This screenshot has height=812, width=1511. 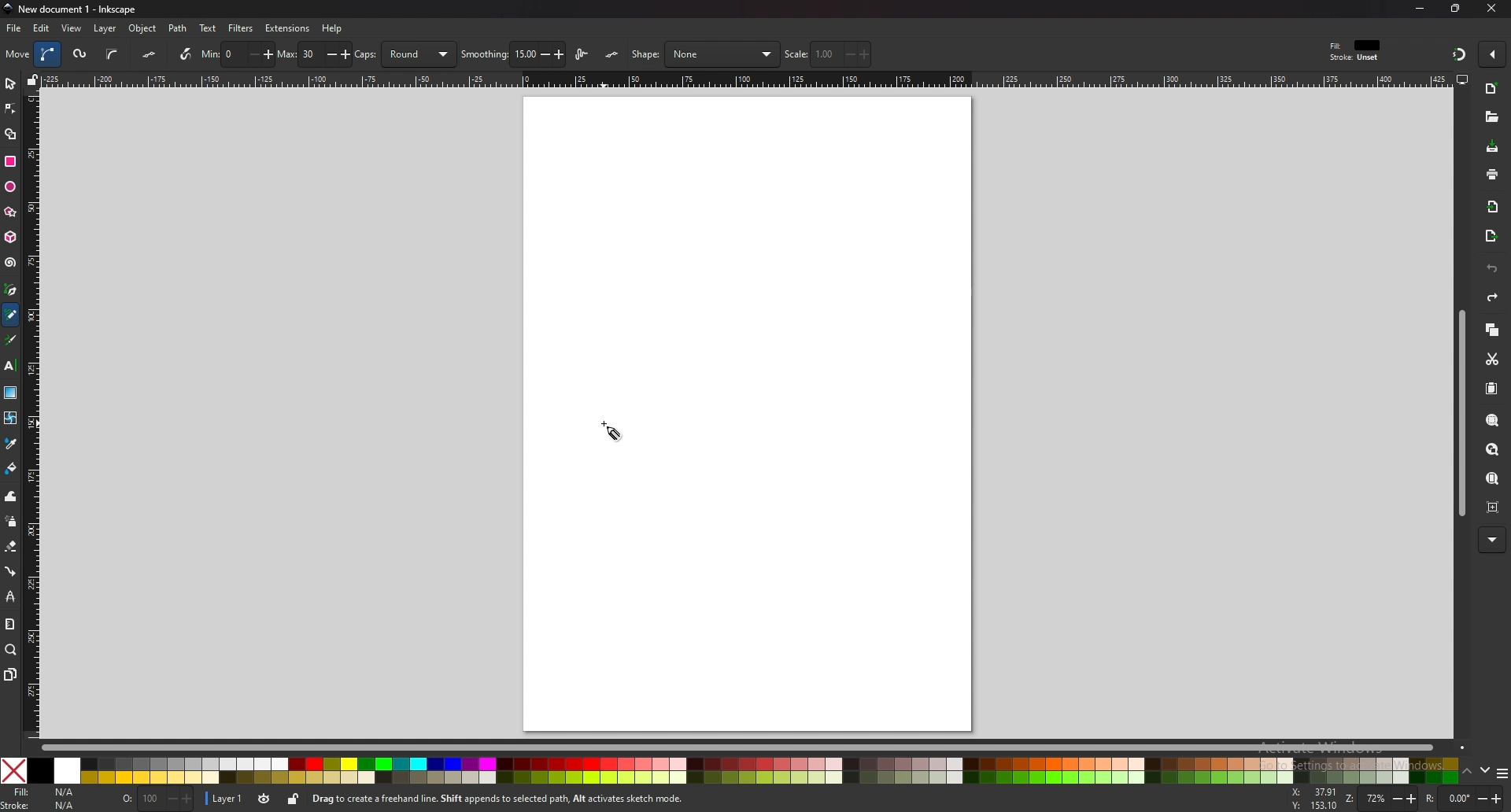 I want to click on scroll bar, so click(x=753, y=749).